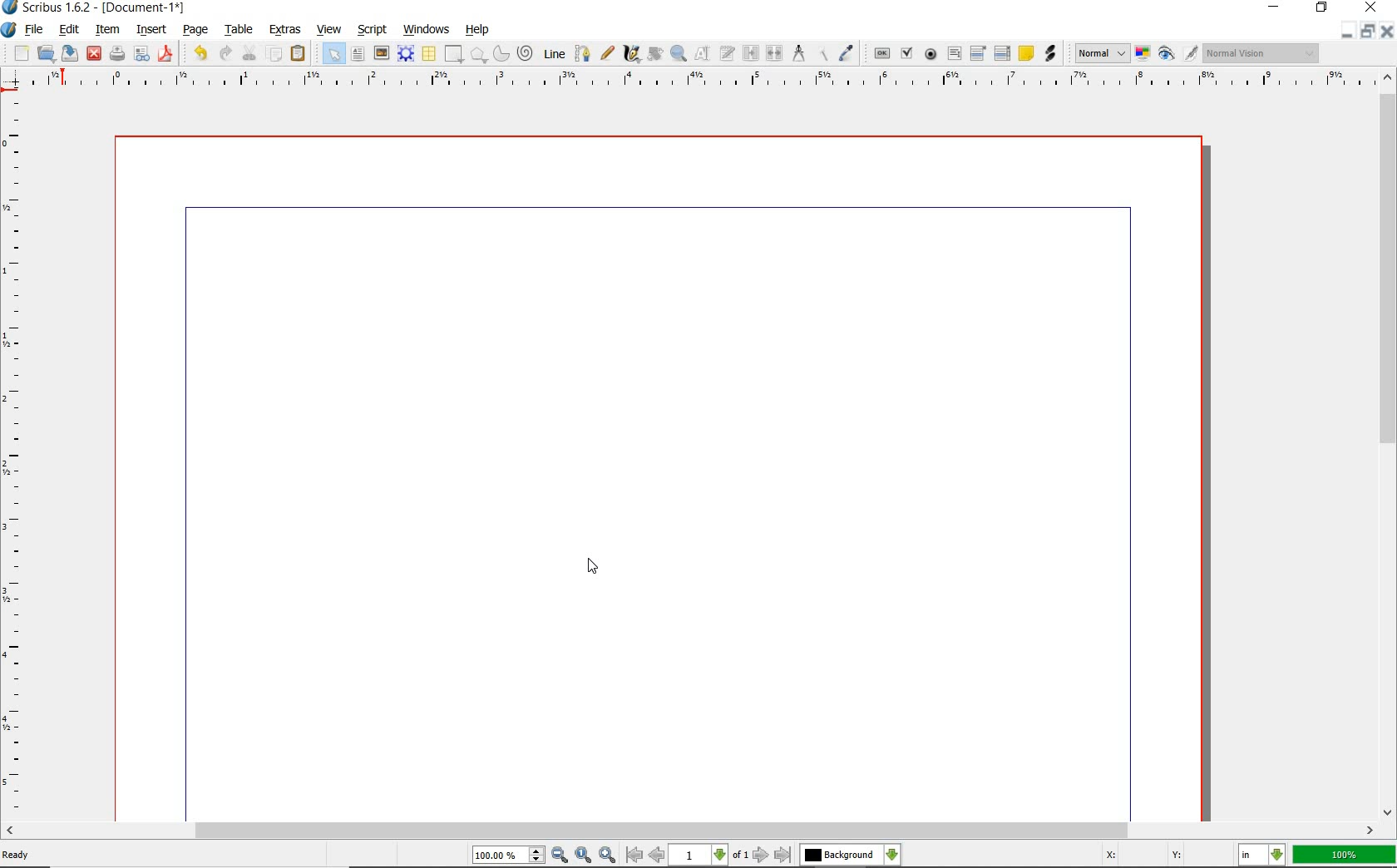 This screenshot has height=868, width=1397. Describe the element at coordinates (427, 28) in the screenshot. I see `windows` at that location.